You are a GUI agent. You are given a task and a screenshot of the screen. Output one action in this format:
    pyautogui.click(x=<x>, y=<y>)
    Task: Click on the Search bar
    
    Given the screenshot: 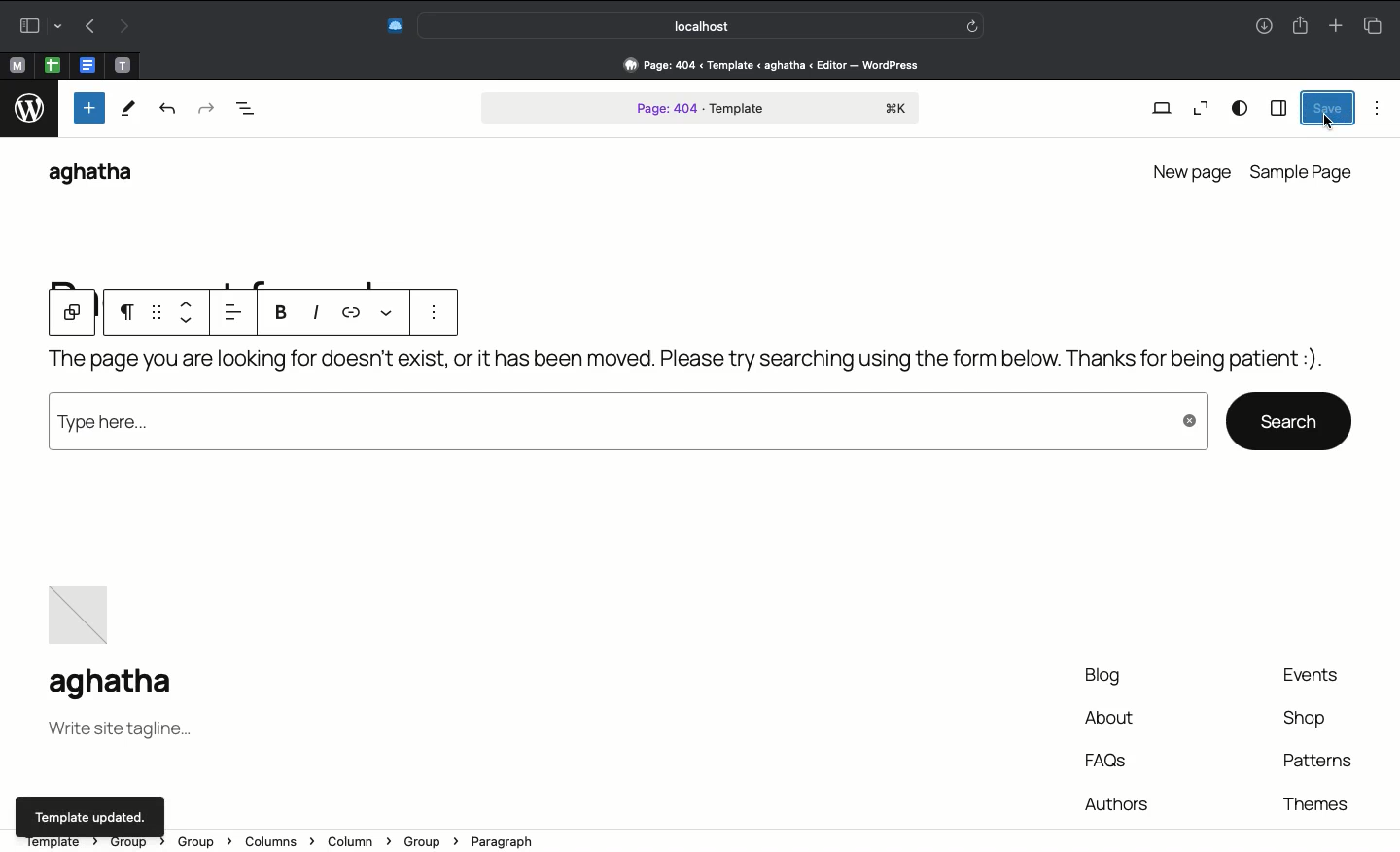 What is the action you would take?
    pyautogui.click(x=703, y=24)
    